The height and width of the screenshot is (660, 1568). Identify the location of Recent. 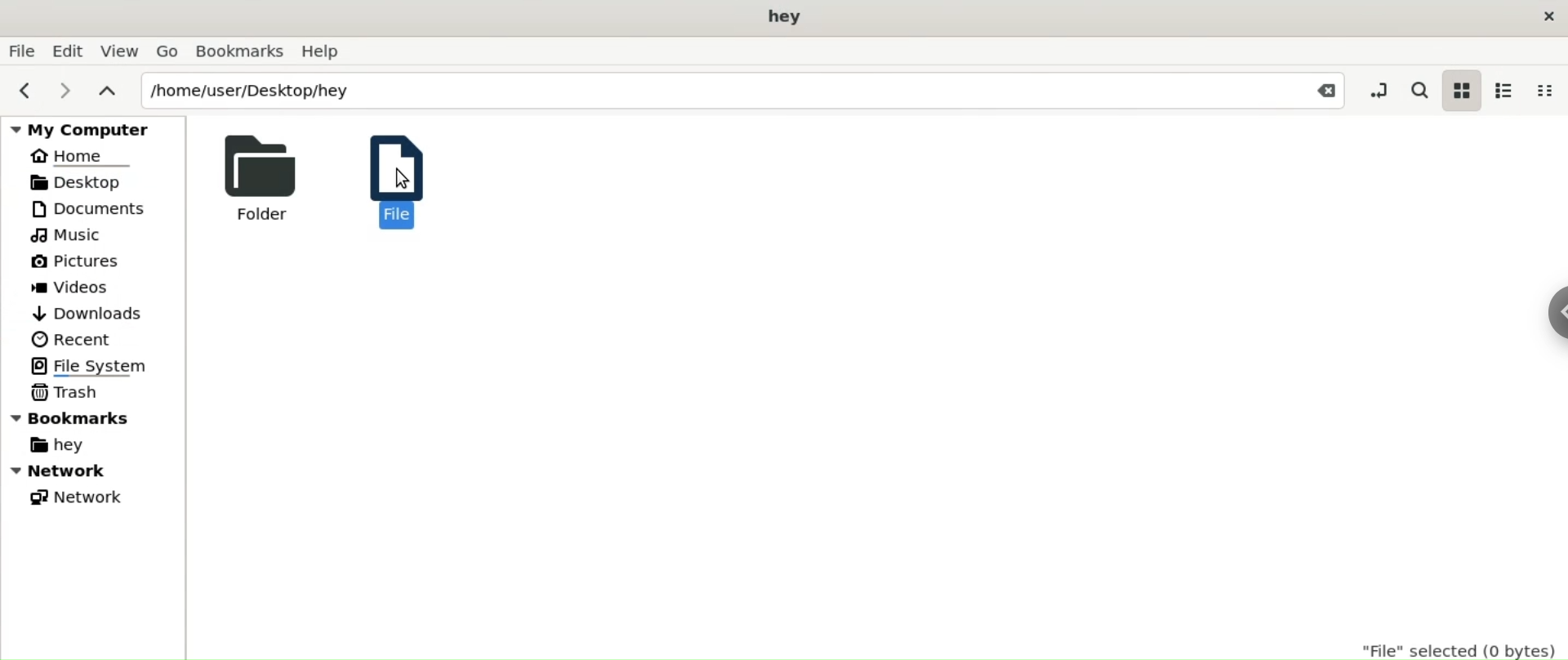
(74, 340).